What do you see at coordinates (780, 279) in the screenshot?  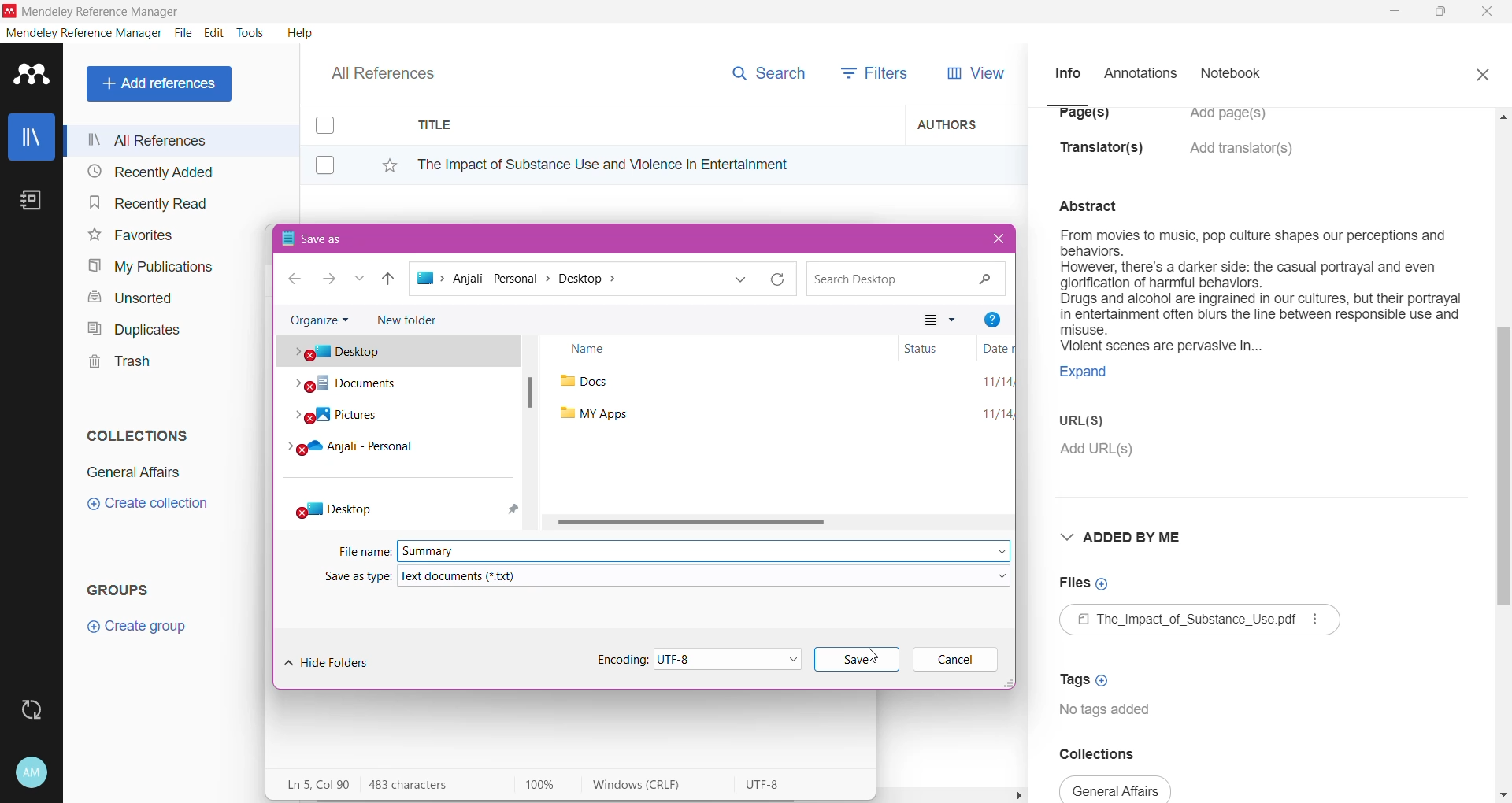 I see `Reload current folder` at bounding box center [780, 279].